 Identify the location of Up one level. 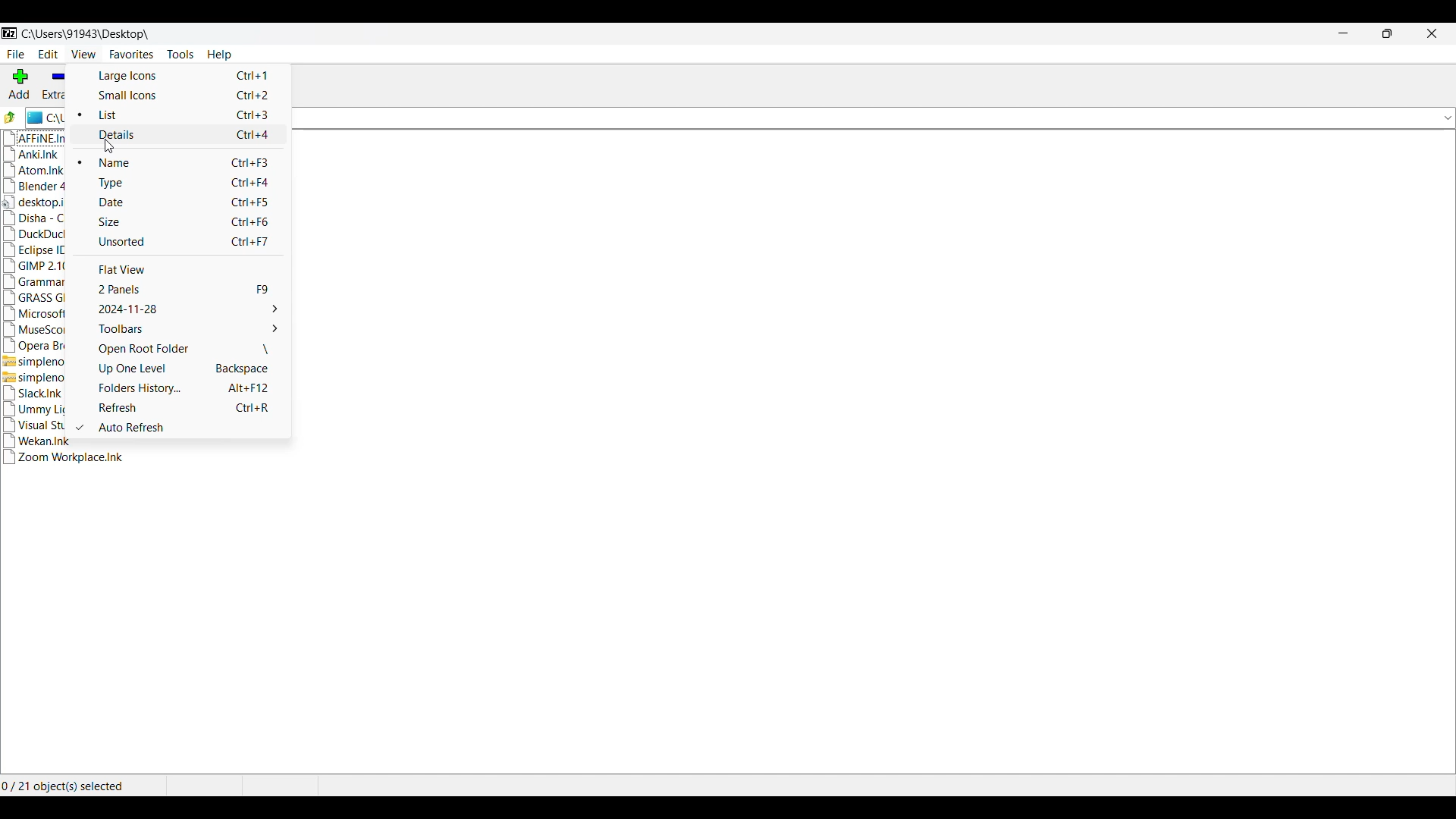
(190, 369).